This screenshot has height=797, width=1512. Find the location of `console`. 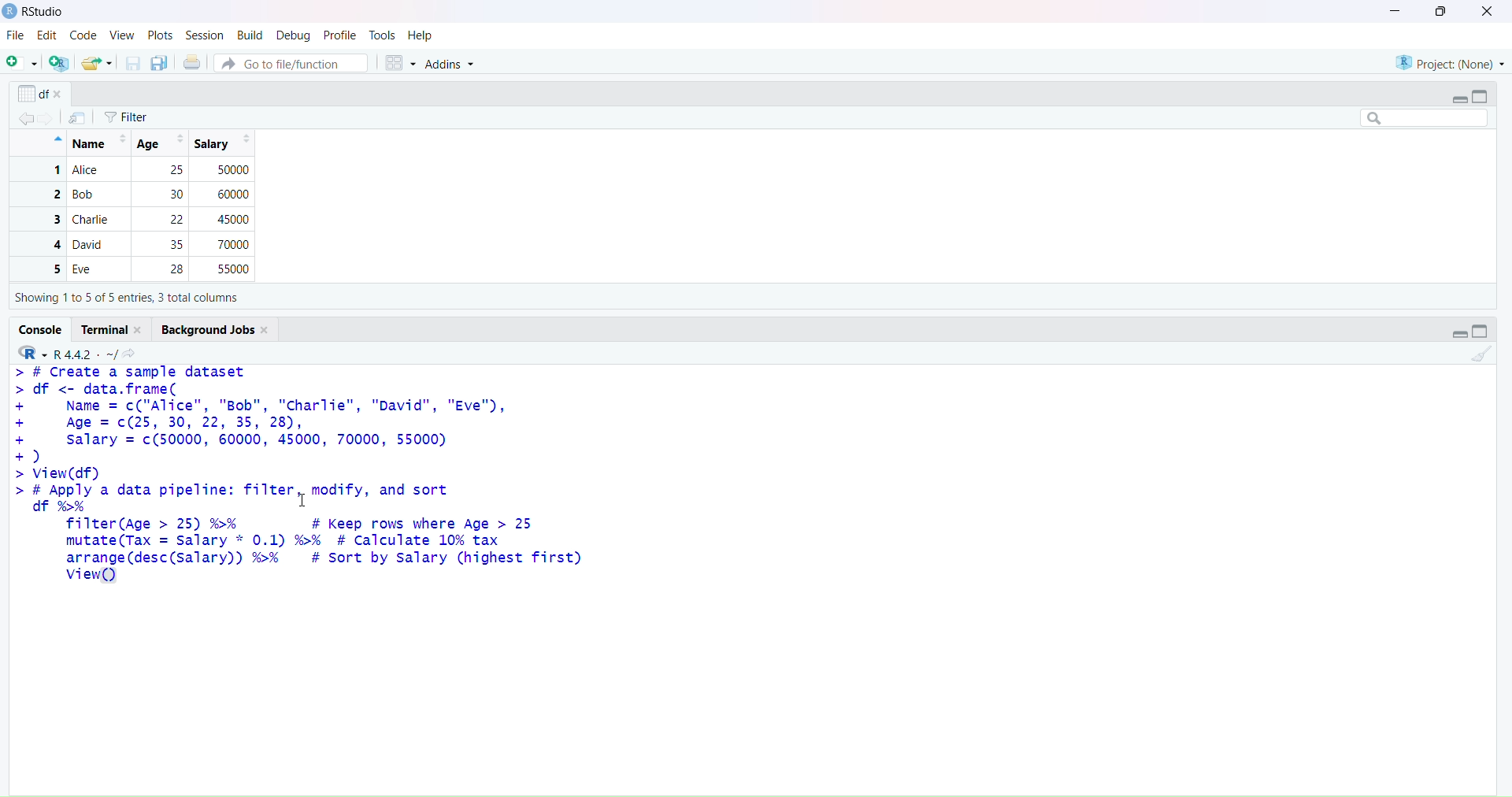

console is located at coordinates (41, 330).